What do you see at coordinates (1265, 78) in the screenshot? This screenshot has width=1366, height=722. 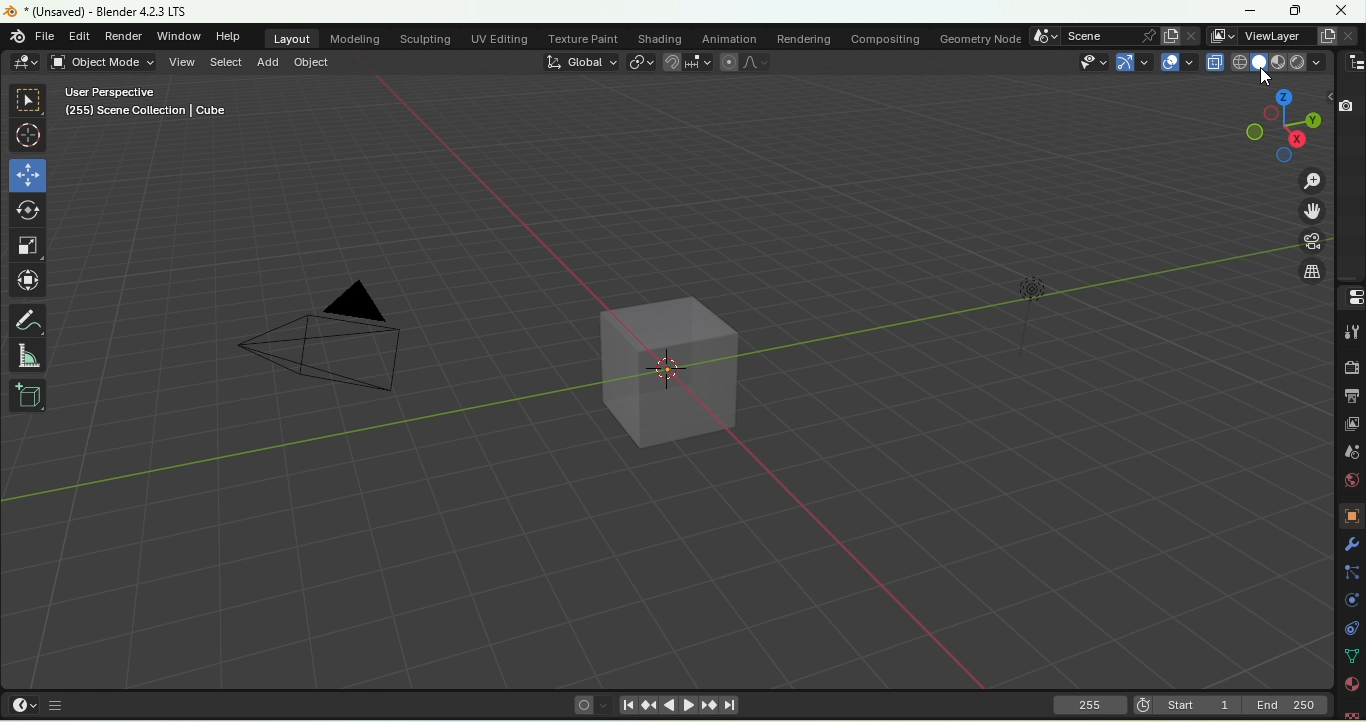 I see `Cursor` at bounding box center [1265, 78].